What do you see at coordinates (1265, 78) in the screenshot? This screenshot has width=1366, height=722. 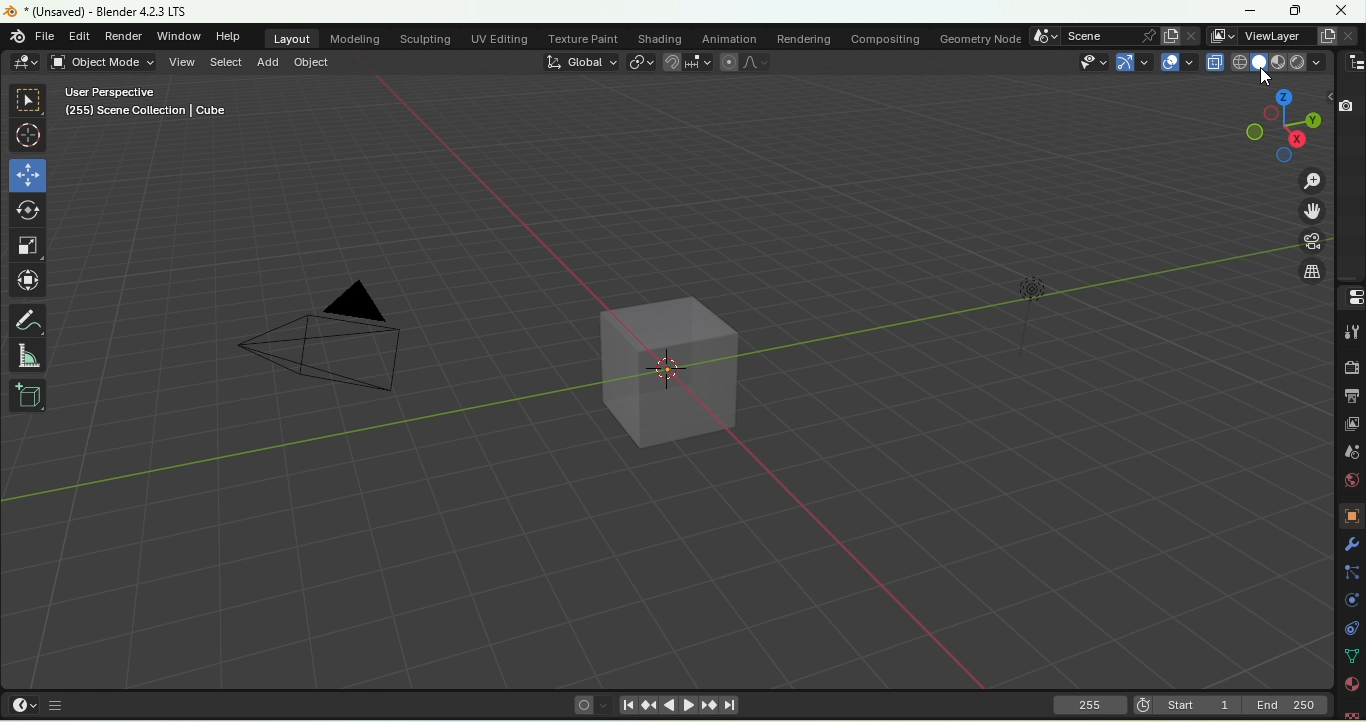 I see `Cursor` at bounding box center [1265, 78].